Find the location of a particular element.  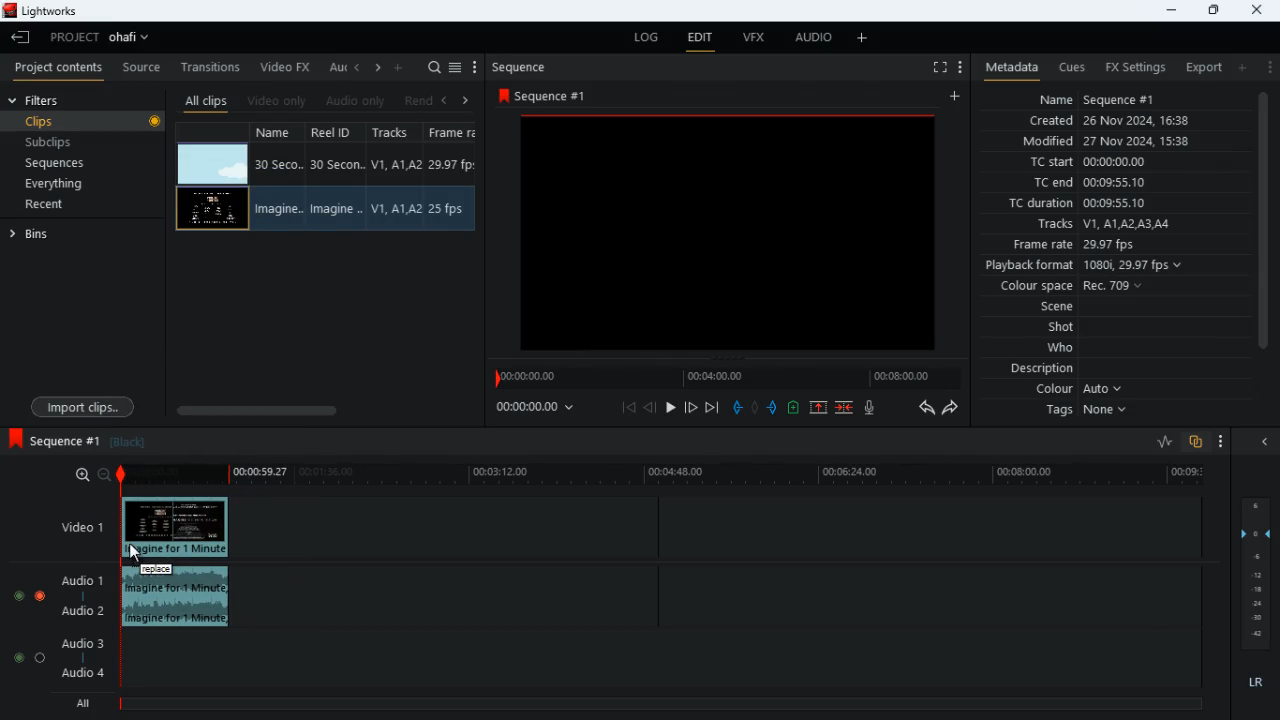

sequence is located at coordinates (522, 65).